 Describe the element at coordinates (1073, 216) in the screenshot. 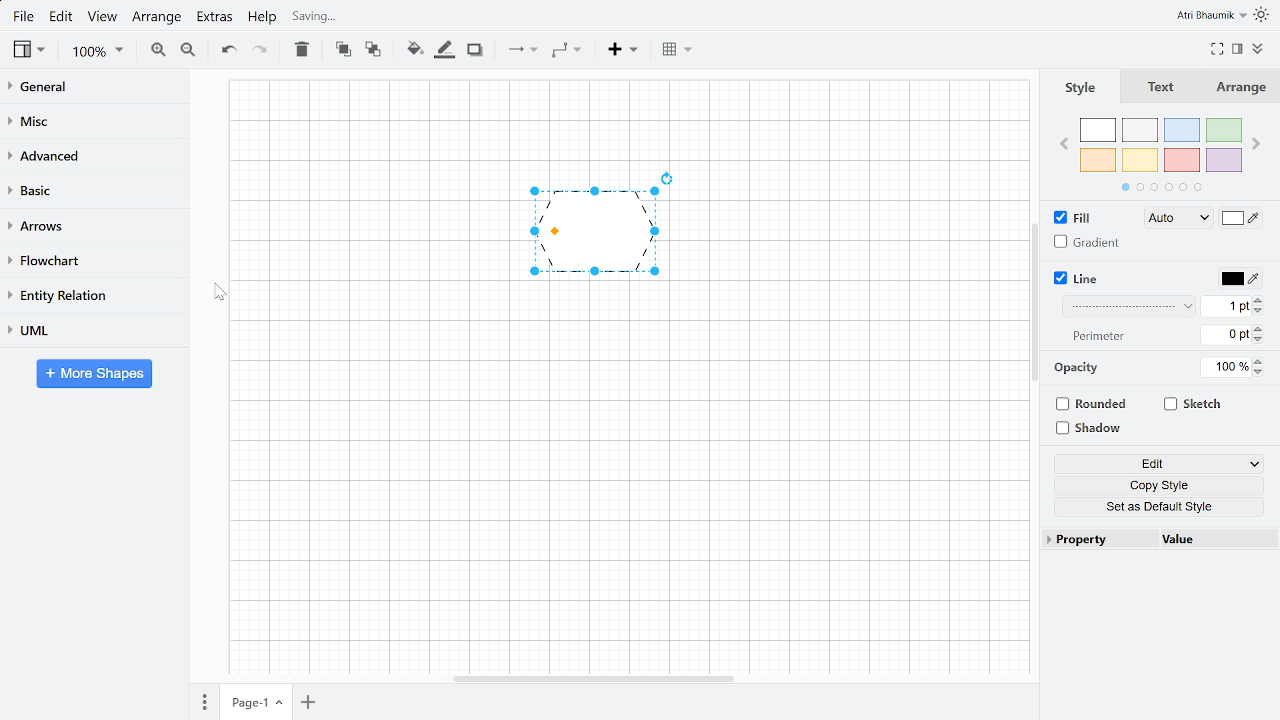

I see `FIll` at that location.